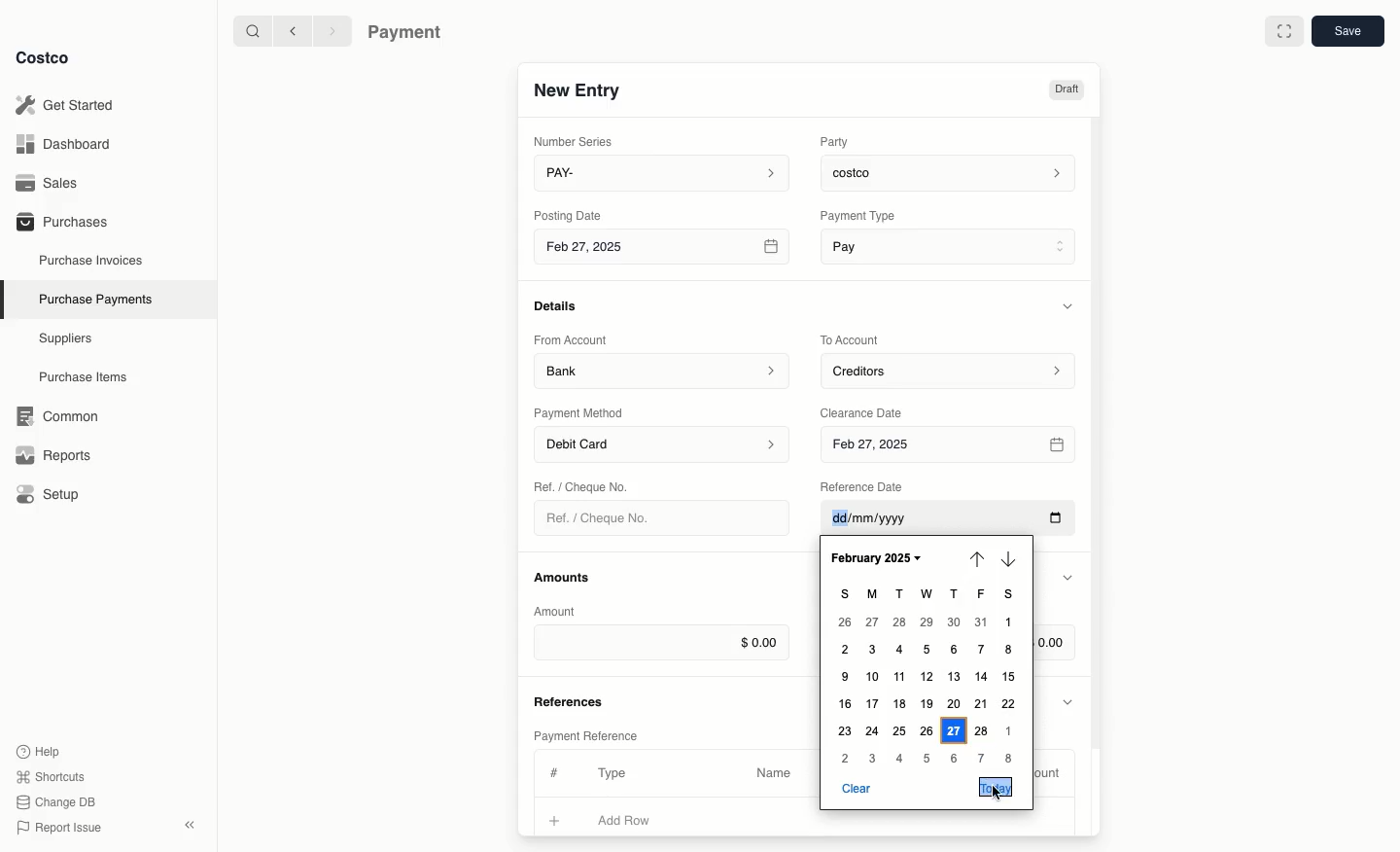  What do you see at coordinates (1066, 89) in the screenshot?
I see `Draft` at bounding box center [1066, 89].